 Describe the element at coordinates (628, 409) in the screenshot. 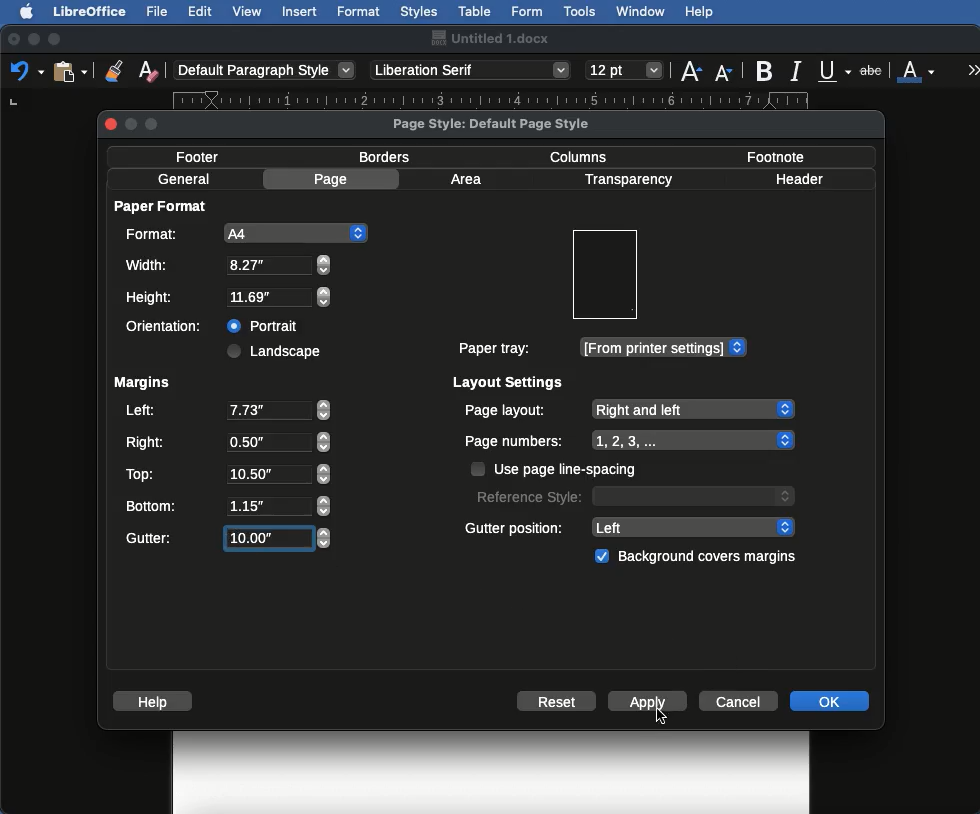

I see `Page layout` at that location.